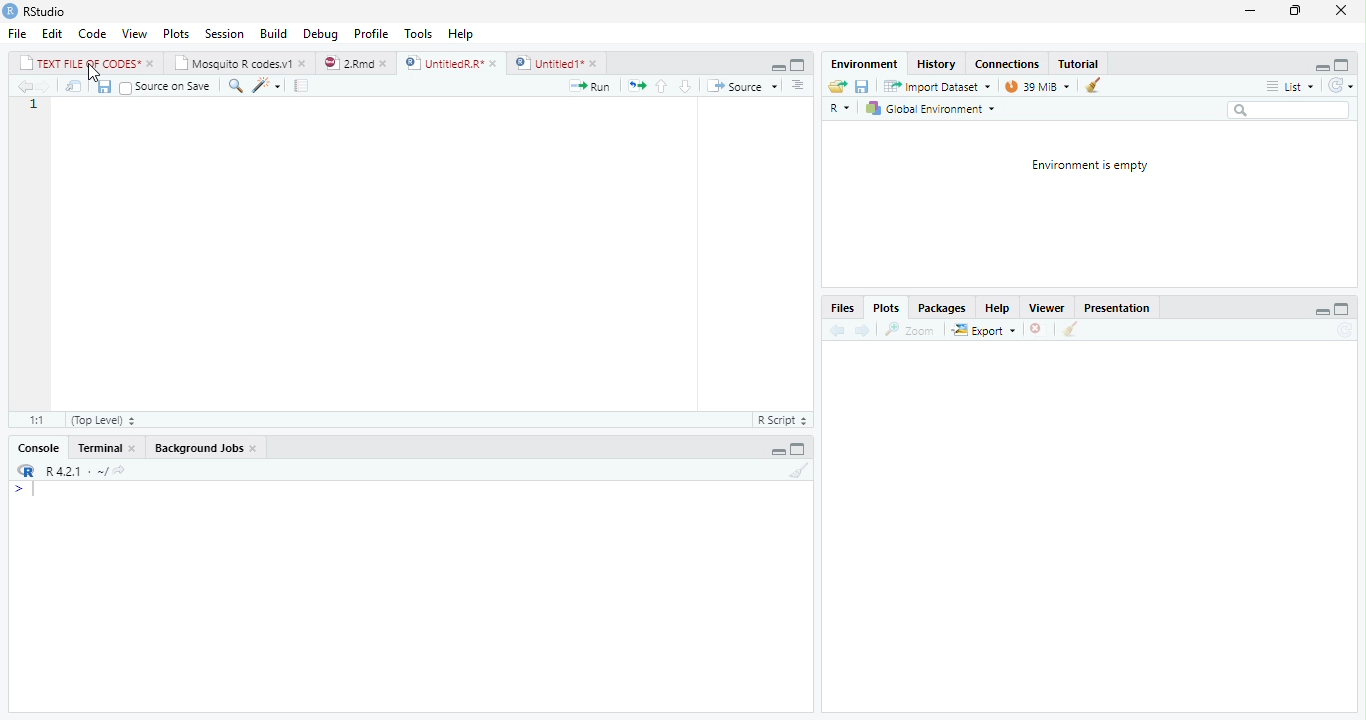 The width and height of the screenshot is (1366, 720). I want to click on Re-run, so click(633, 84).